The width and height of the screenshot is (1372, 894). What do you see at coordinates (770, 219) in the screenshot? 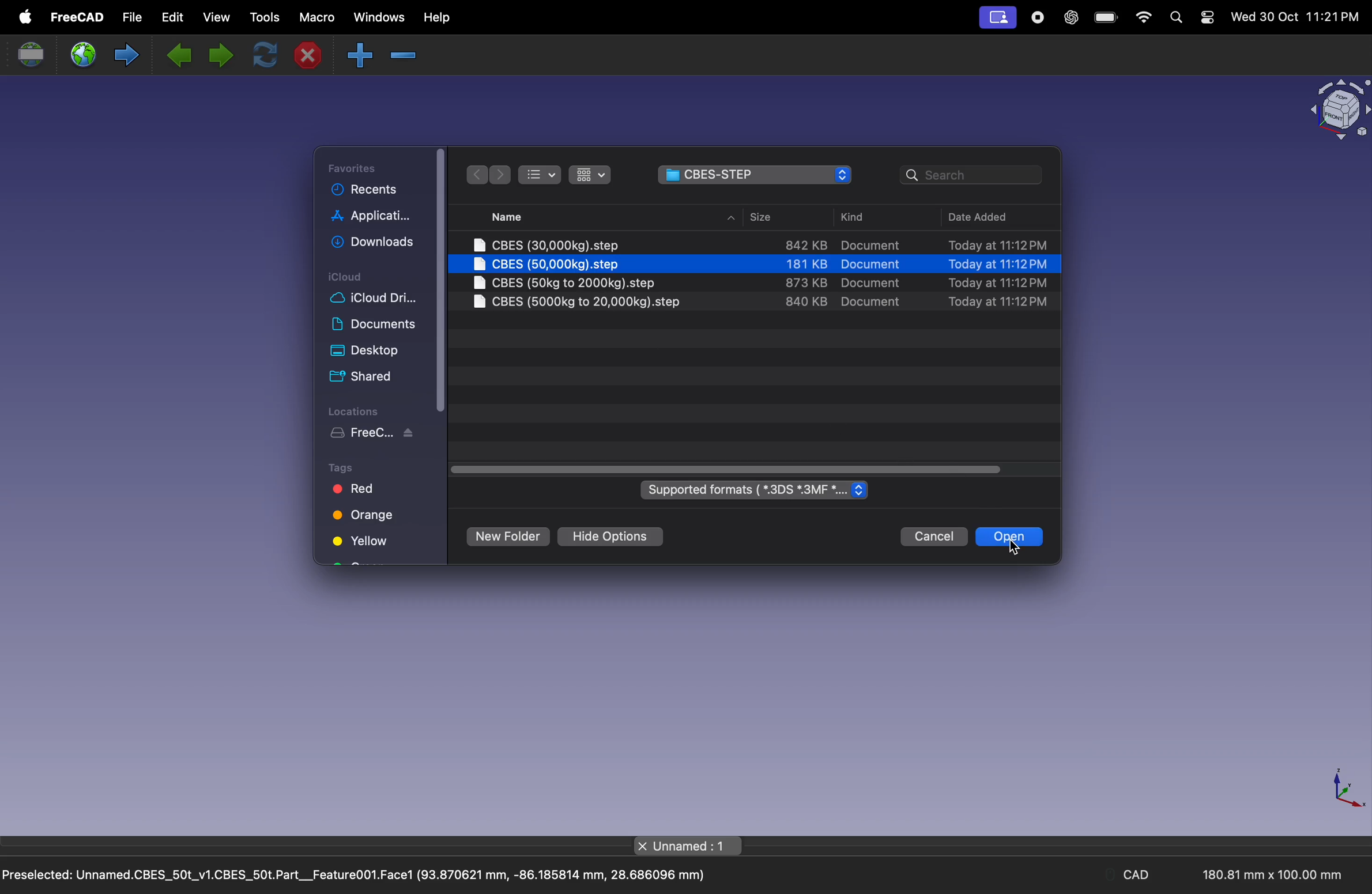
I see `size` at bounding box center [770, 219].